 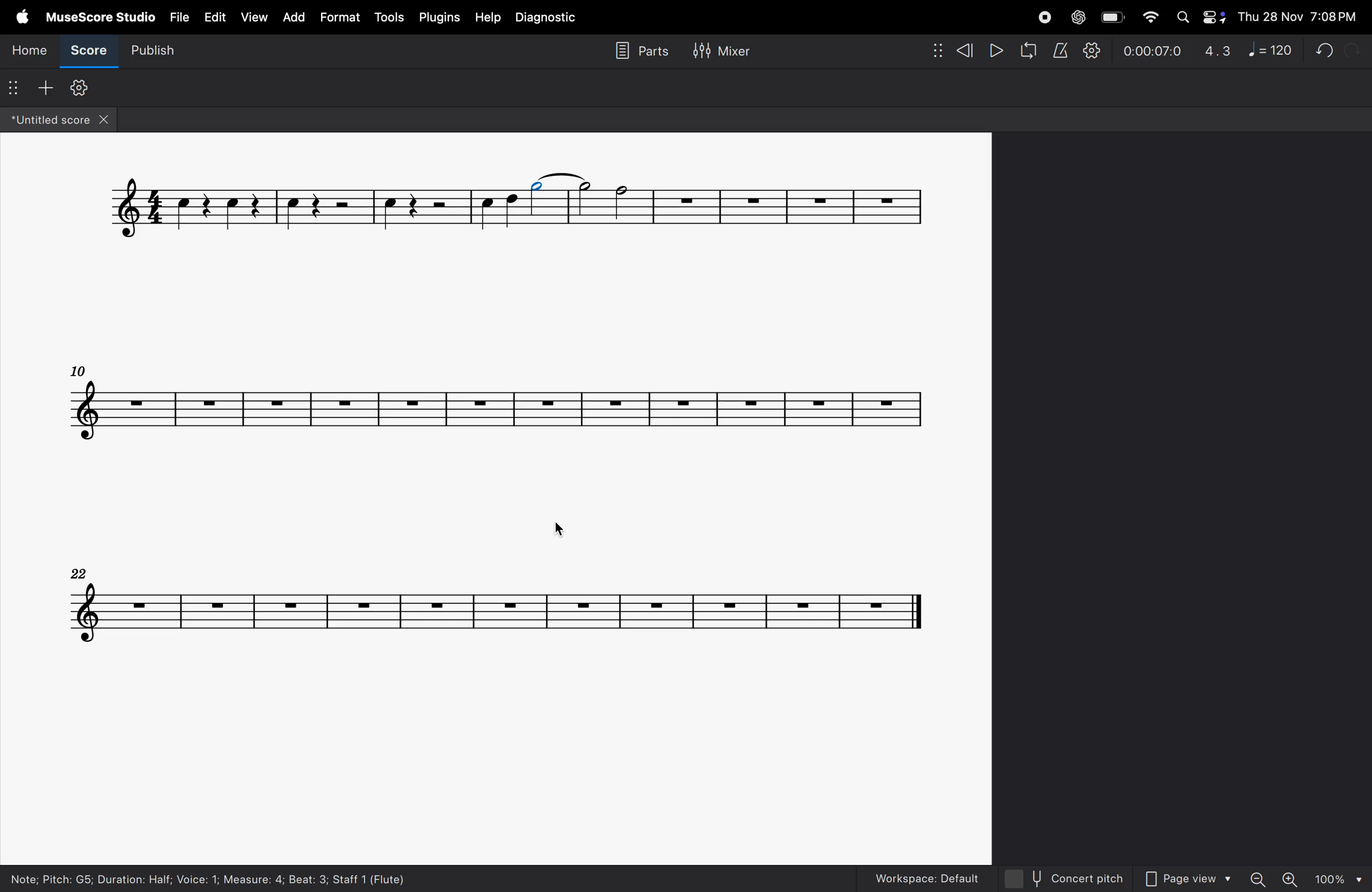 I want to click on play, so click(x=997, y=52).